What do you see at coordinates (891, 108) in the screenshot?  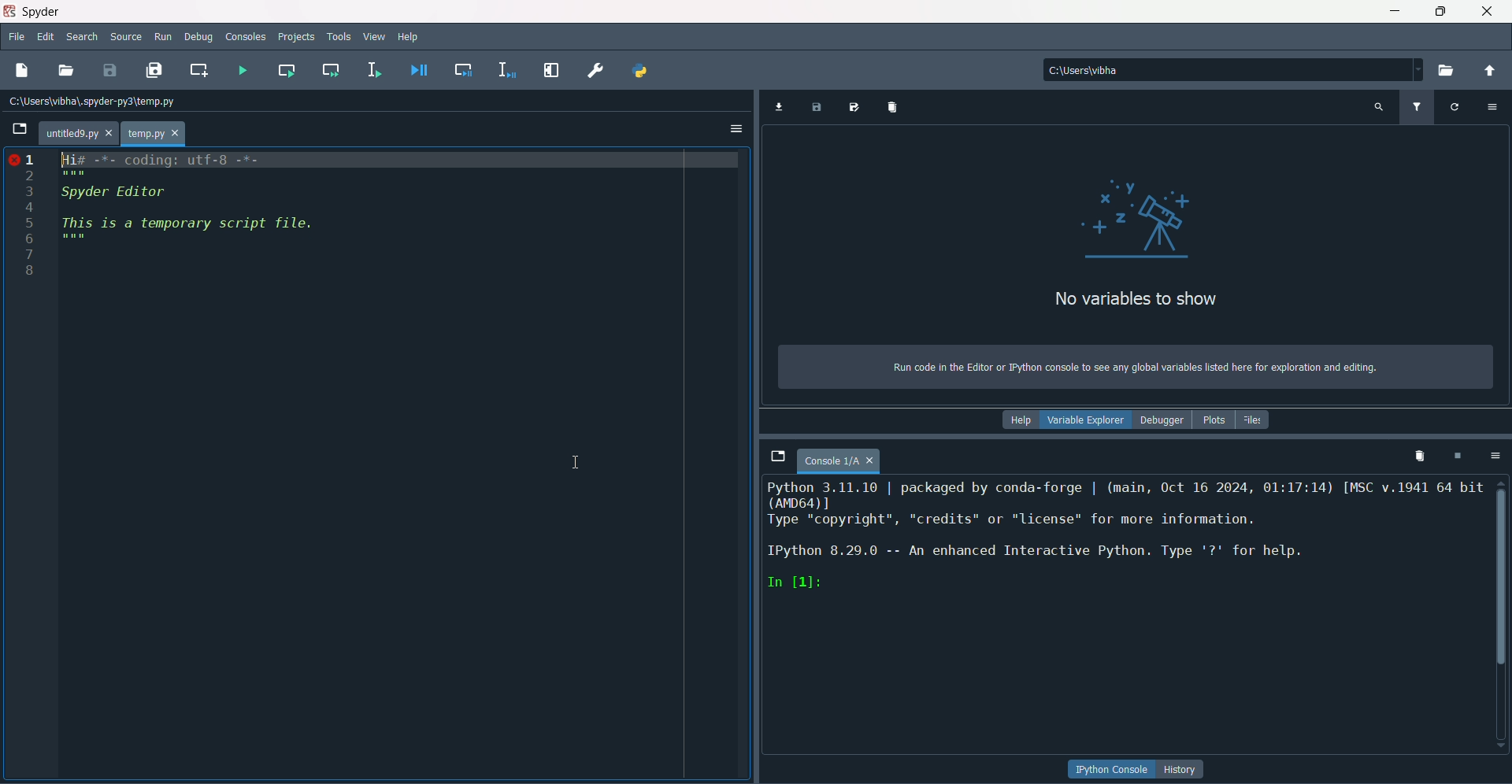 I see `import variables` at bounding box center [891, 108].